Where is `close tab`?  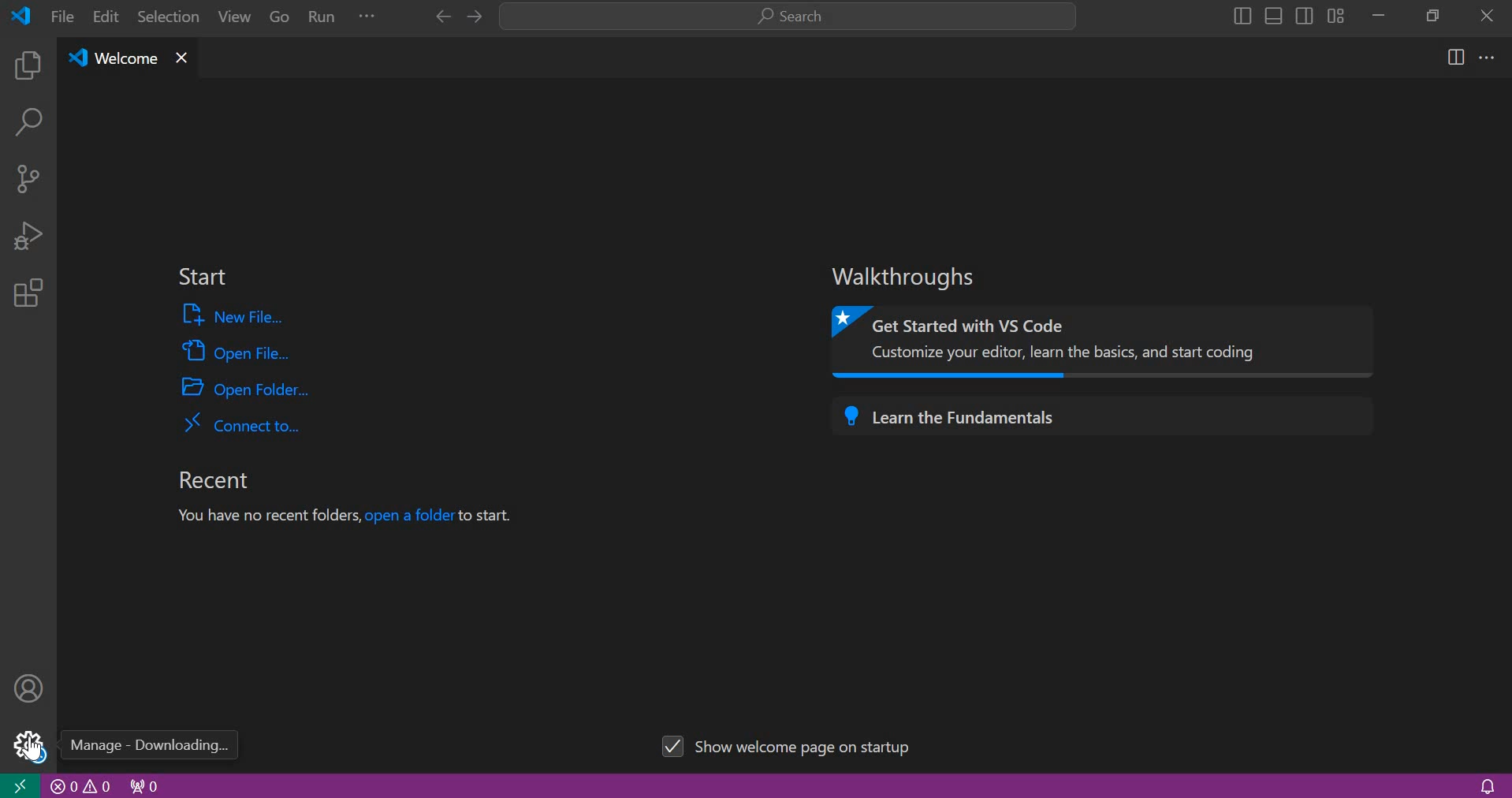
close tab is located at coordinates (183, 59).